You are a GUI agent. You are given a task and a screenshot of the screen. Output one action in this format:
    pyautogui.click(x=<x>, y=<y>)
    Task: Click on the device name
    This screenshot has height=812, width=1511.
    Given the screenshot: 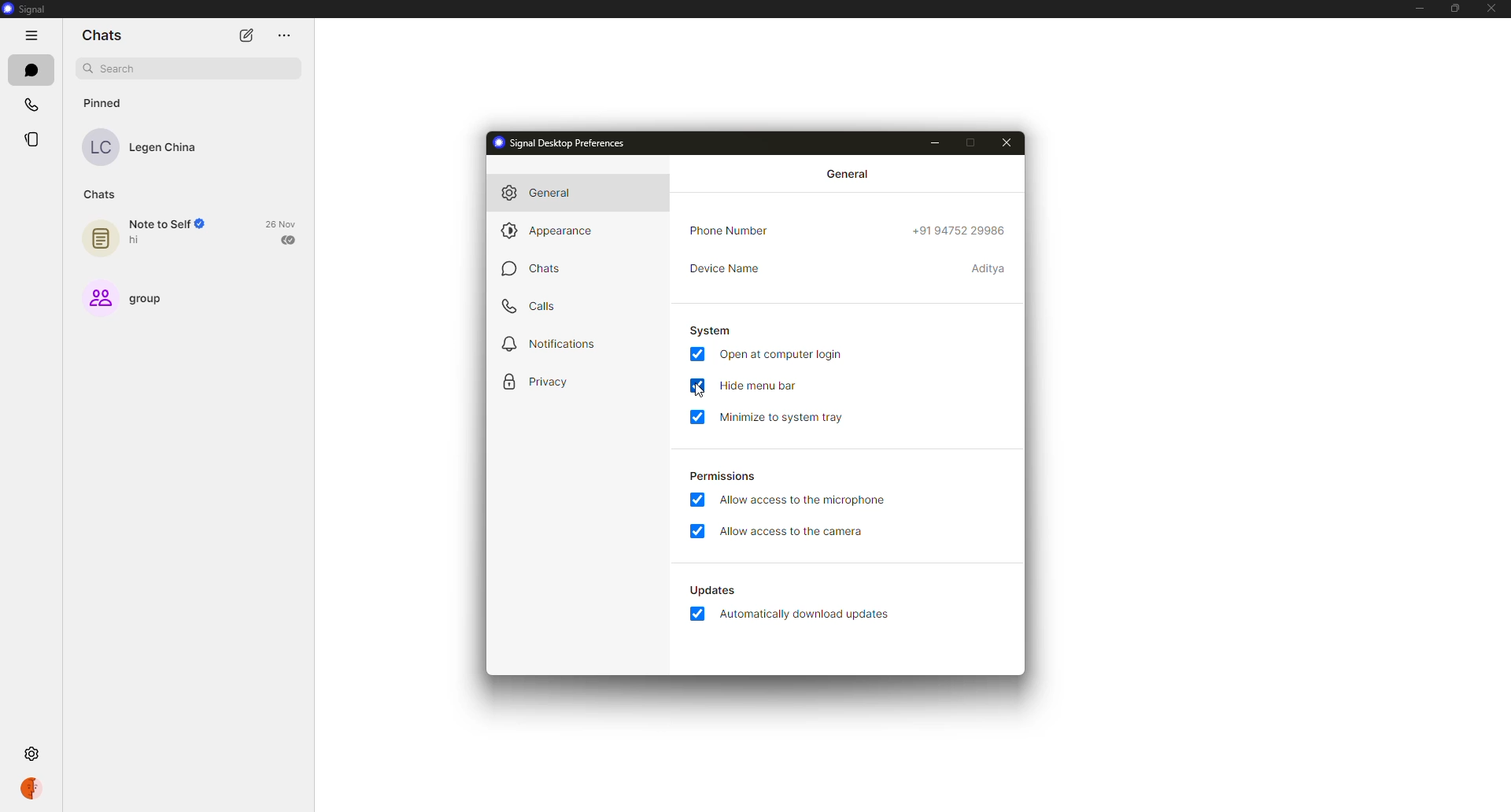 What is the action you would take?
    pyautogui.click(x=724, y=268)
    